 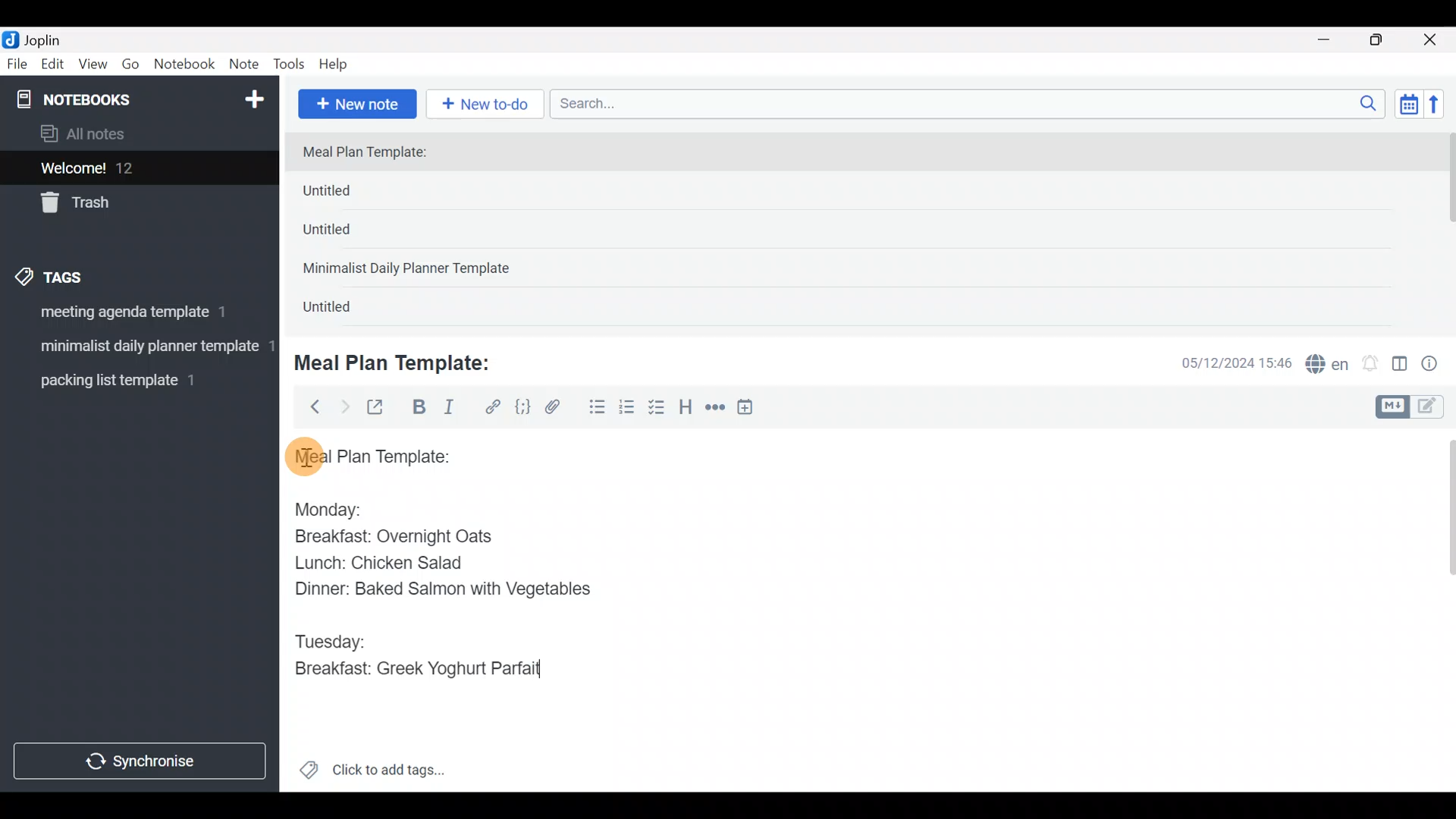 I want to click on Maximize, so click(x=1385, y=40).